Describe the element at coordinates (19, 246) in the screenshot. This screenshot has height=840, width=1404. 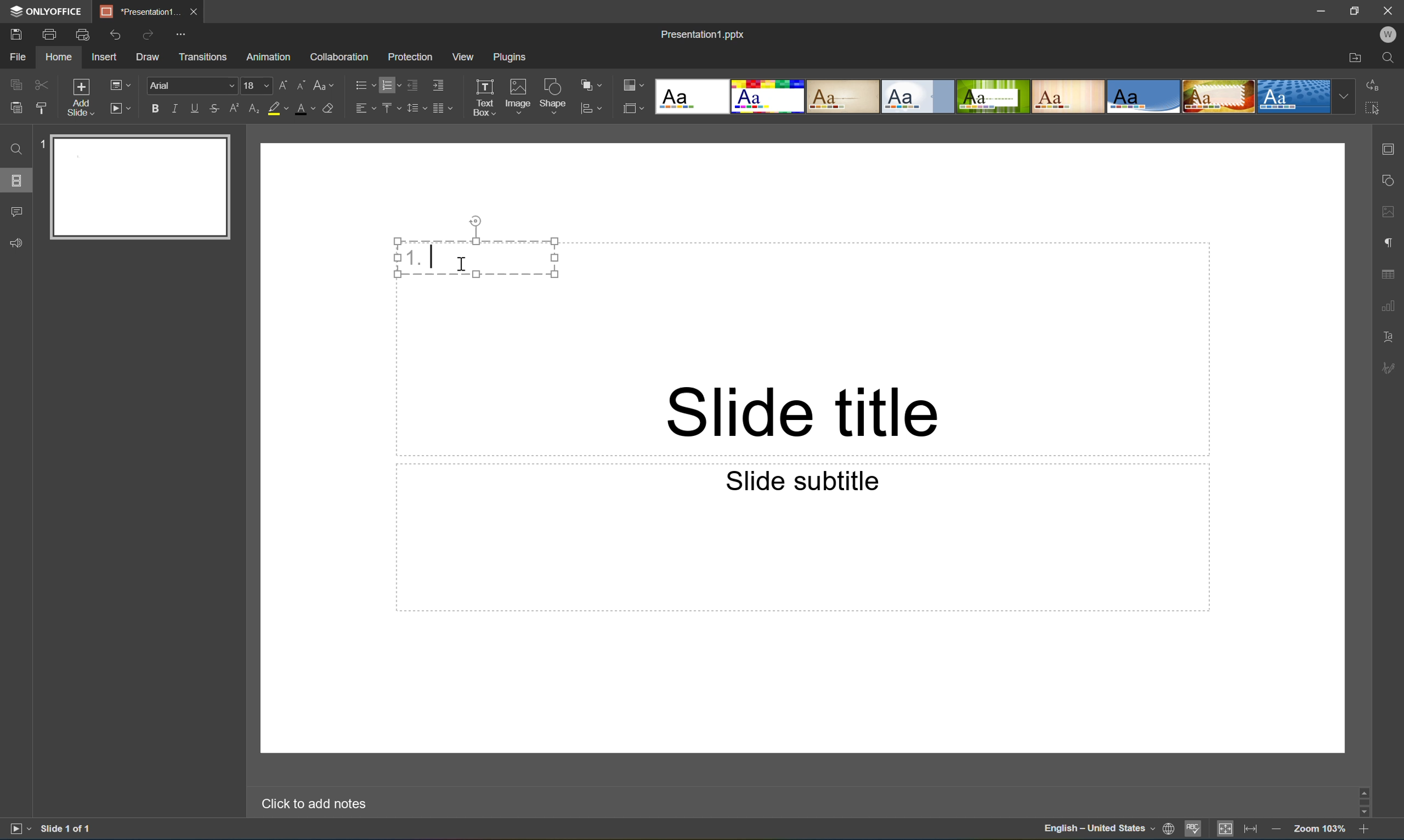
I see `Feedback and Support` at that location.